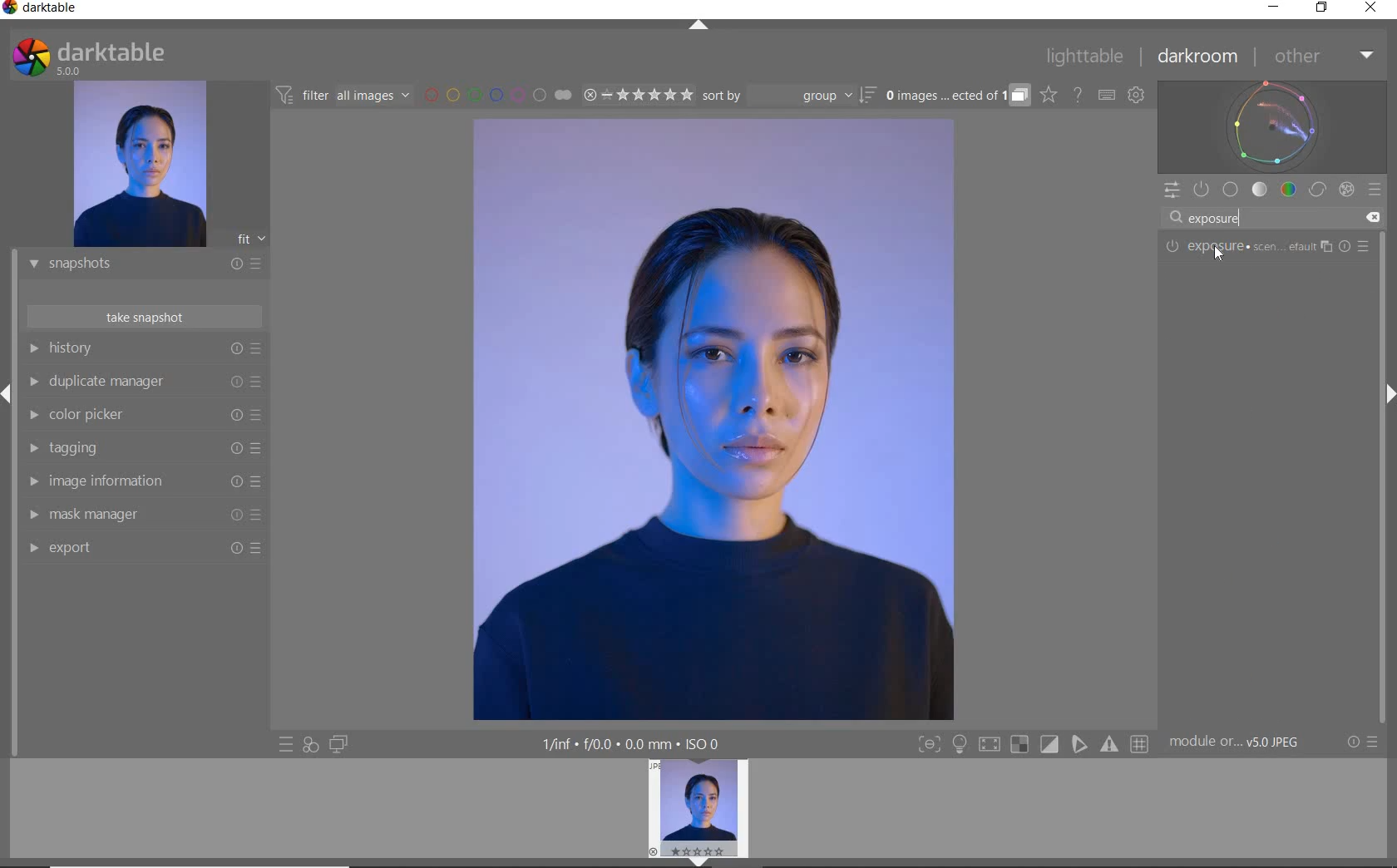 Image resolution: width=1397 pixels, height=868 pixels. What do you see at coordinates (704, 861) in the screenshot?
I see `EXPAND/COLLAPSE` at bounding box center [704, 861].